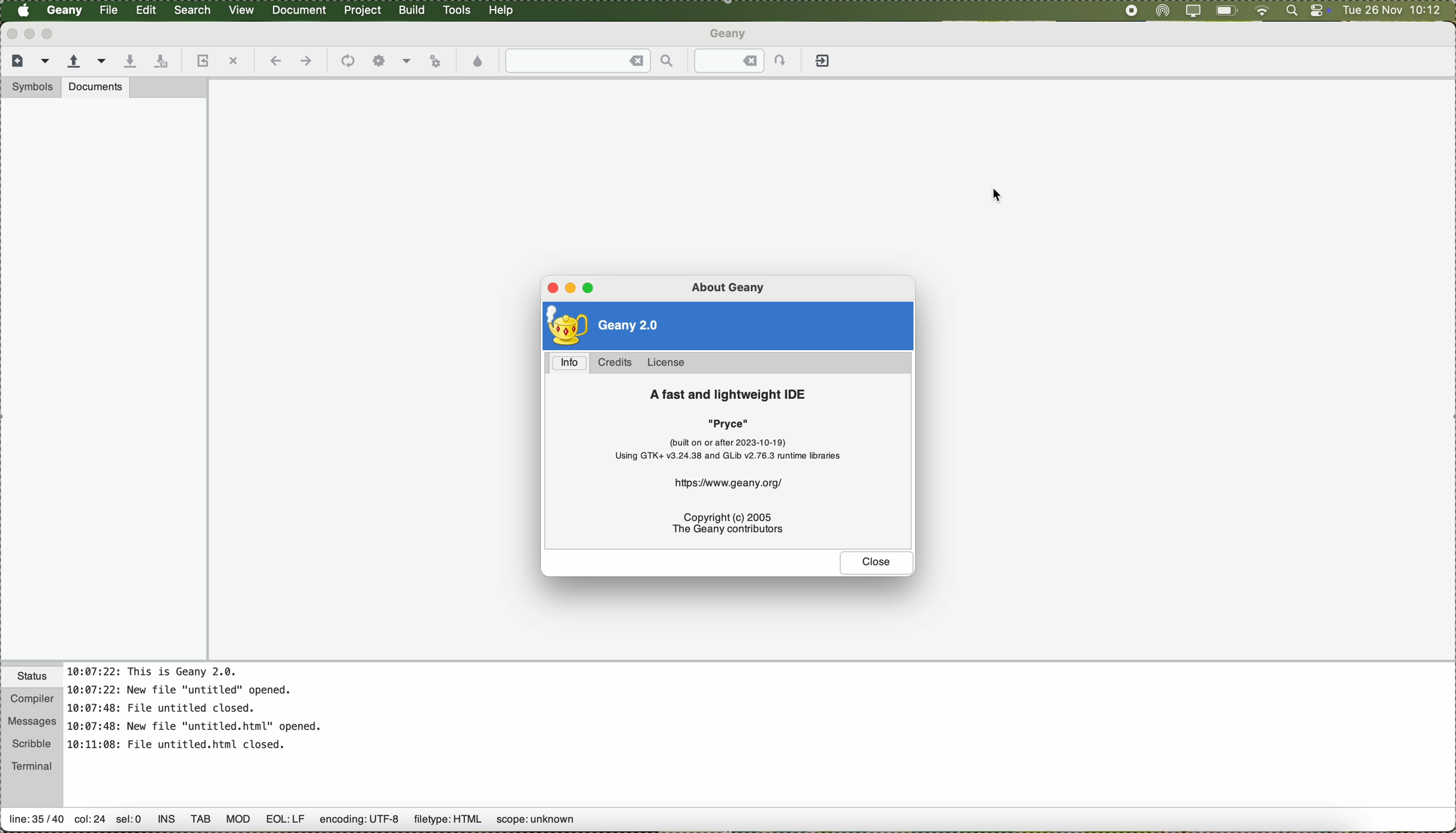  I want to click on info, so click(571, 363).